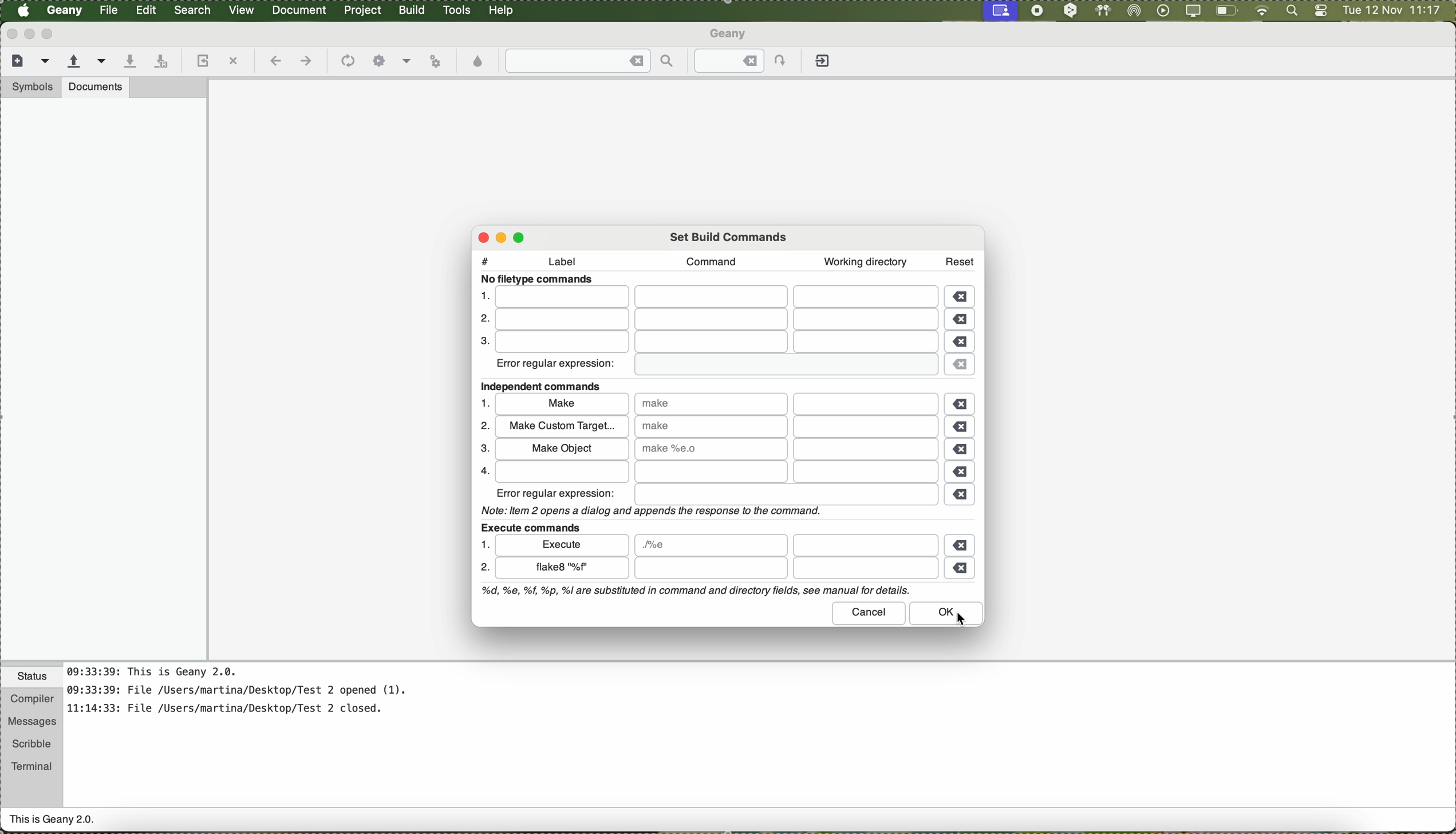 The width and height of the screenshot is (1456, 834). I want to click on status, so click(32, 678).